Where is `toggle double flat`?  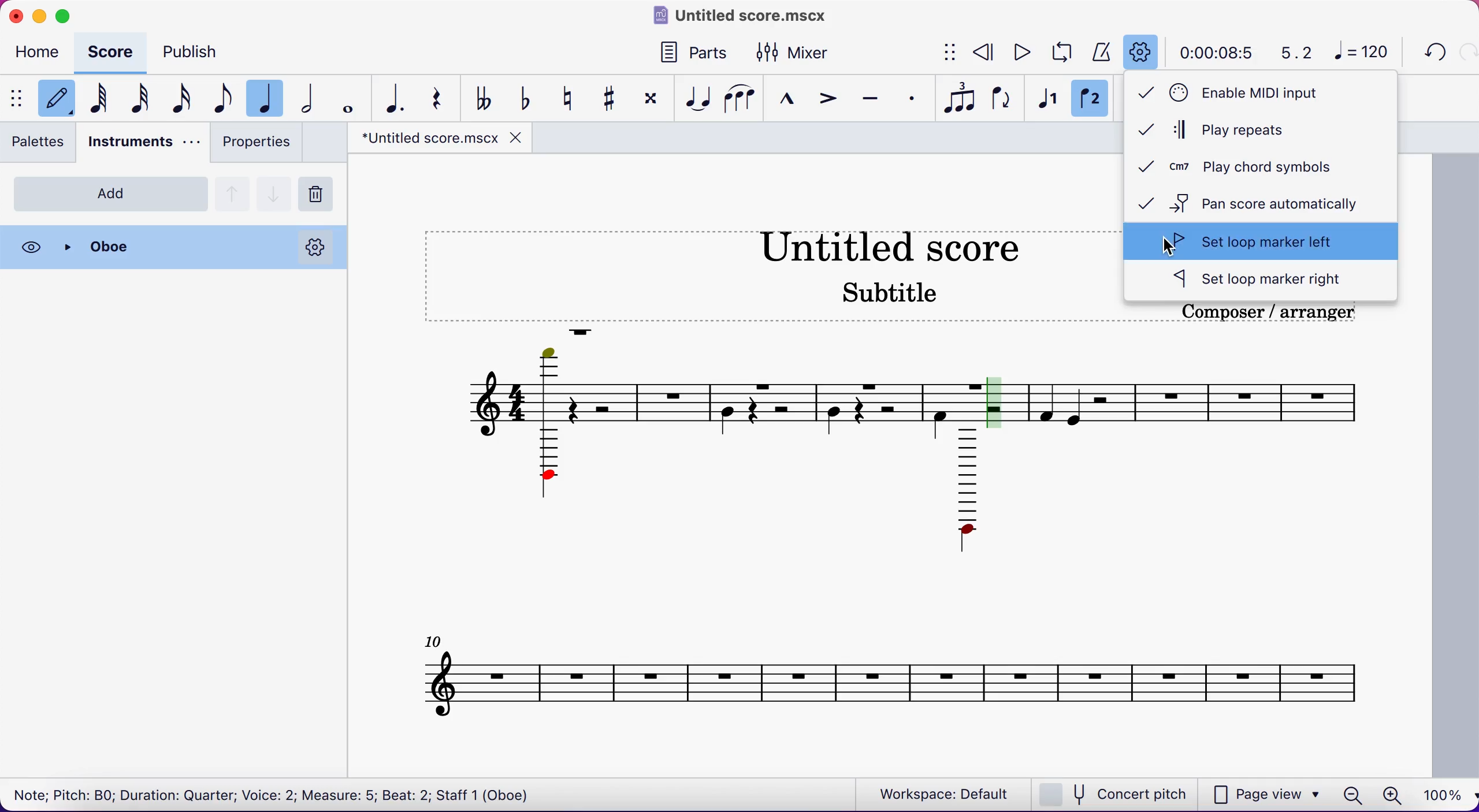
toggle double flat is located at coordinates (484, 98).